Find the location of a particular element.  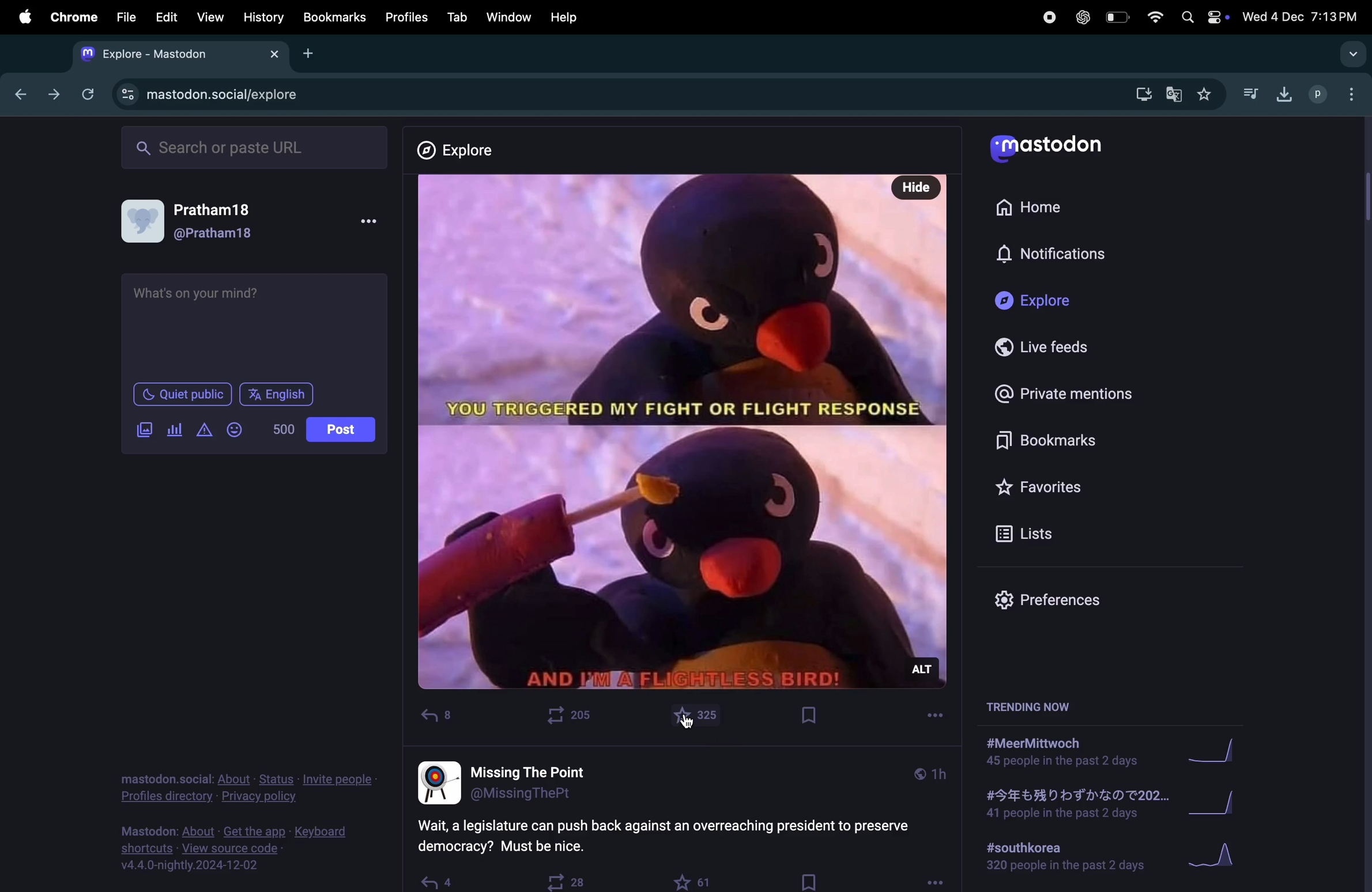

live feeds is located at coordinates (1051, 347).